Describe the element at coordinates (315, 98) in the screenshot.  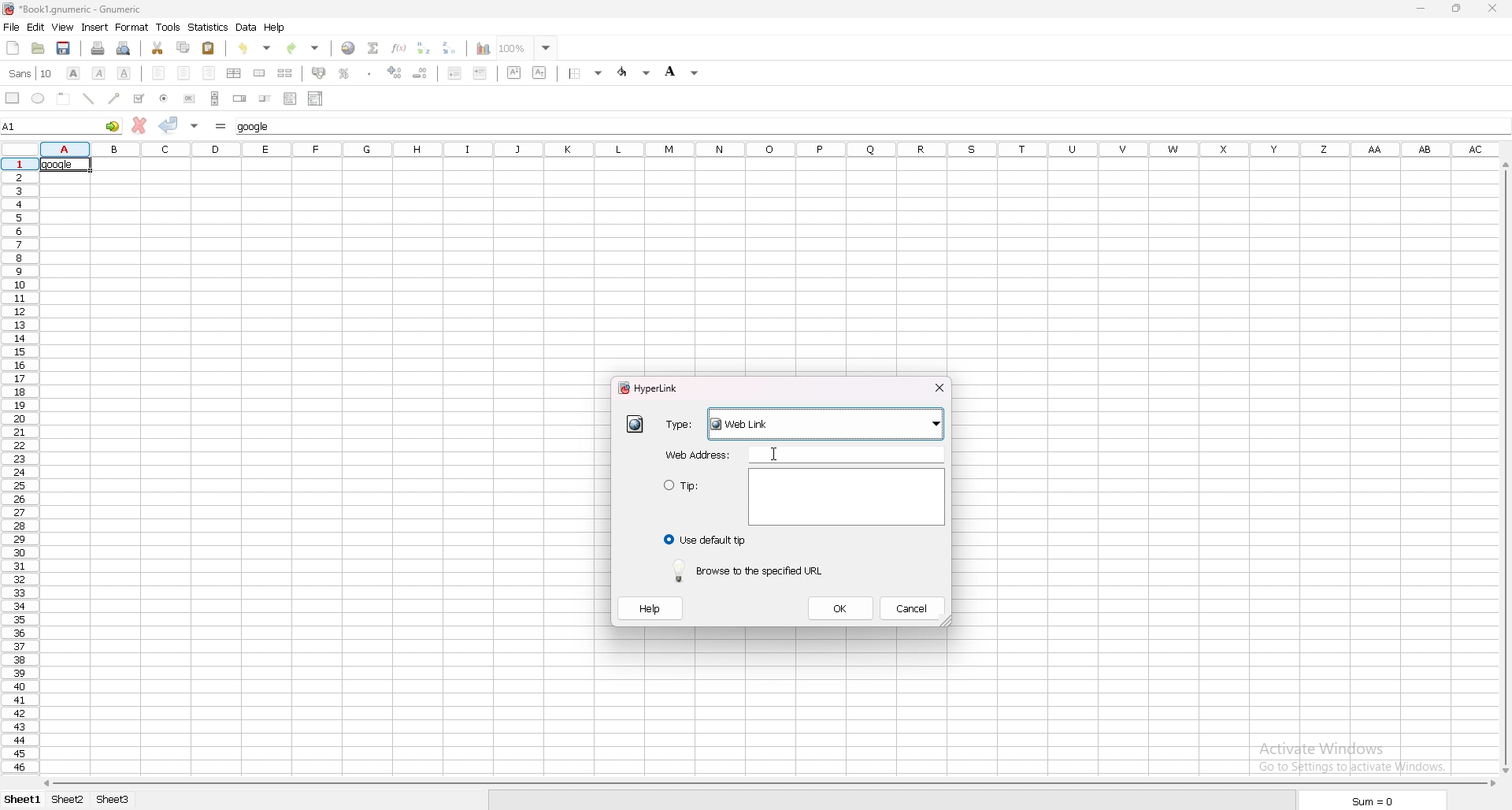
I see `combo box` at that location.